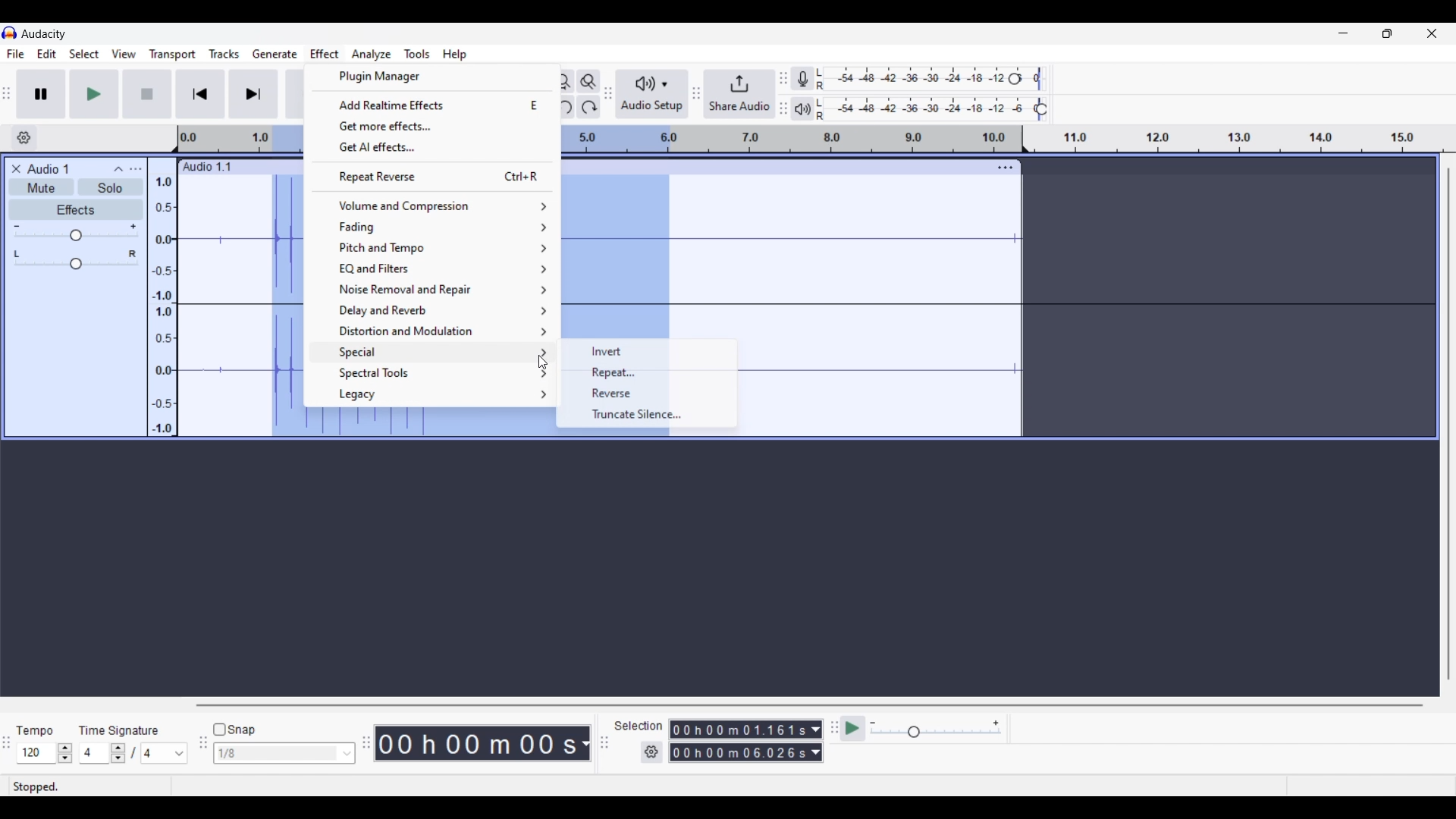  Describe the element at coordinates (76, 235) in the screenshot. I see `Gain` at that location.